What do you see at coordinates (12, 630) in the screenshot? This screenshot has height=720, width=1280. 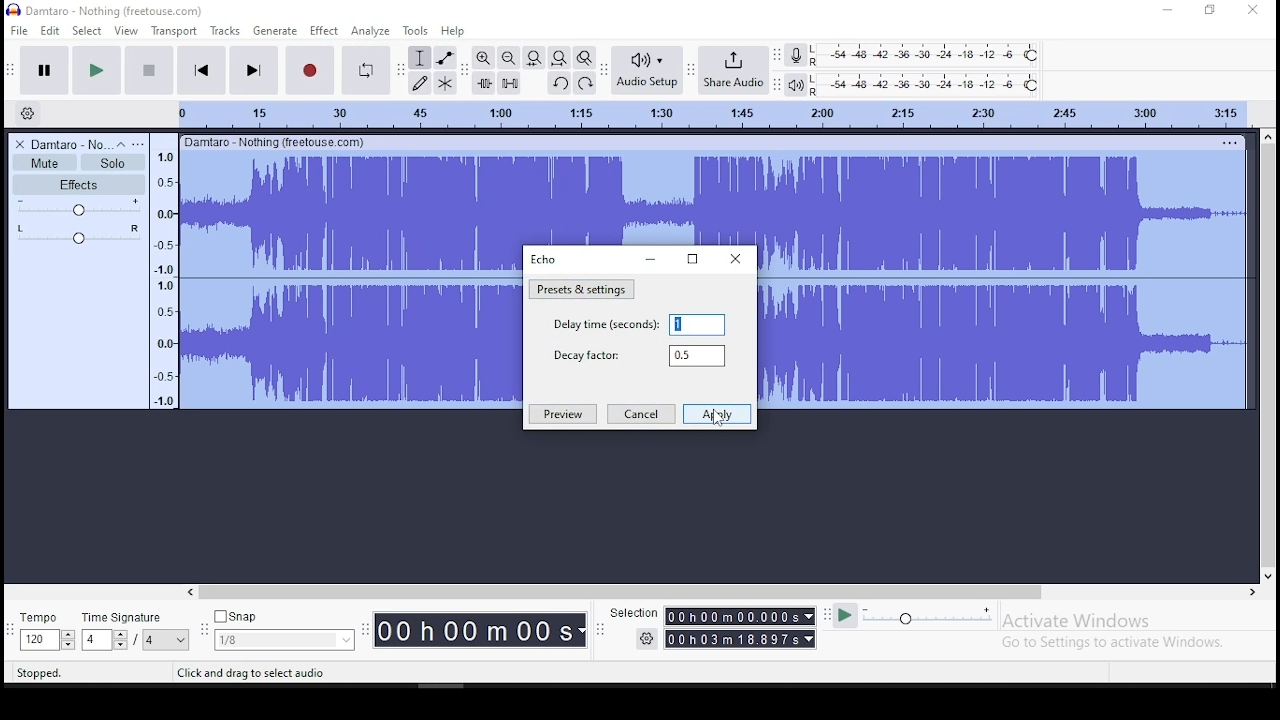 I see `` at bounding box center [12, 630].